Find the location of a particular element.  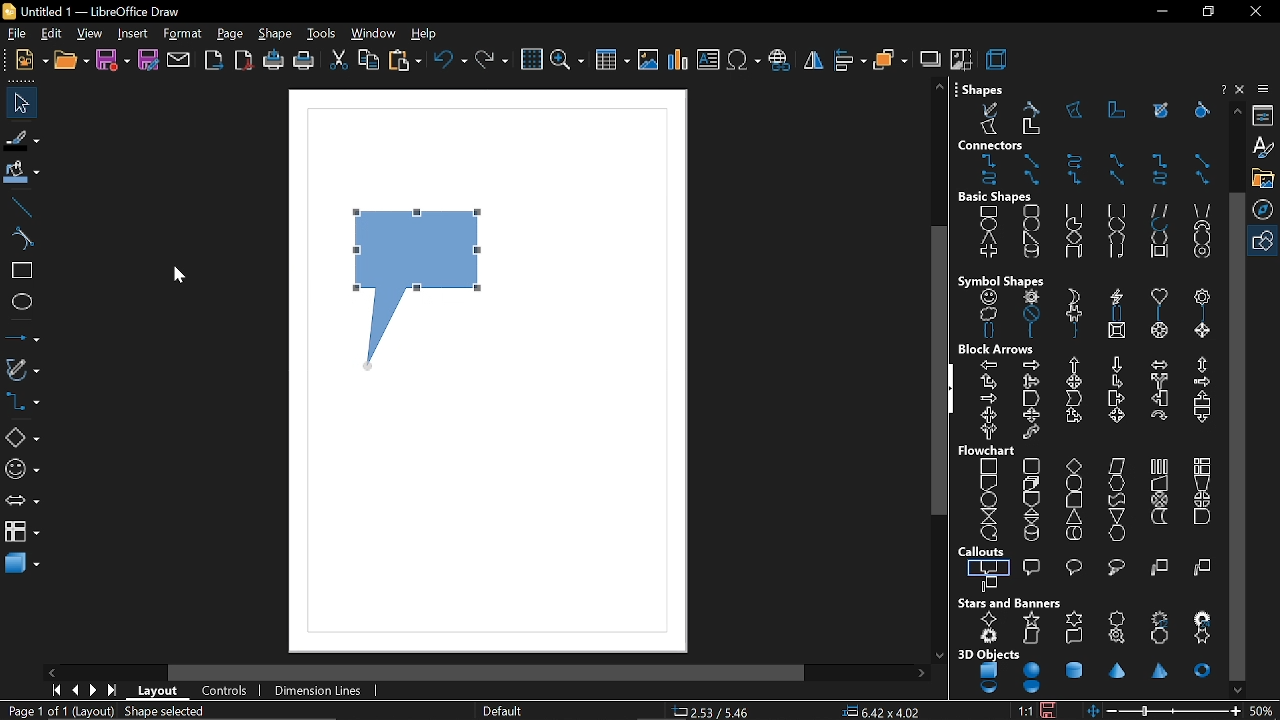

line is located at coordinates (19, 205).